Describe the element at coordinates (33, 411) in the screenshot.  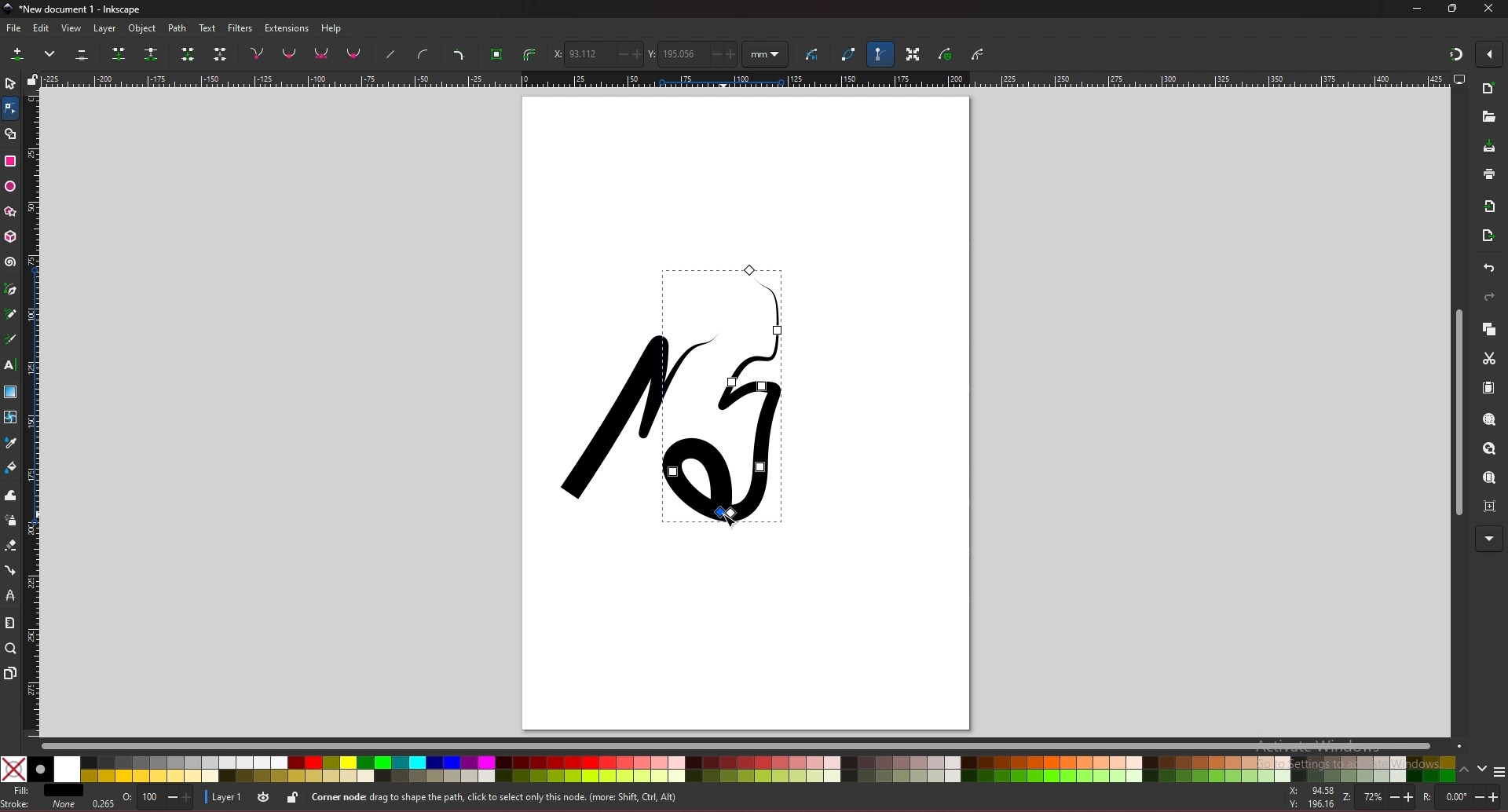
I see `vertical scale` at that location.